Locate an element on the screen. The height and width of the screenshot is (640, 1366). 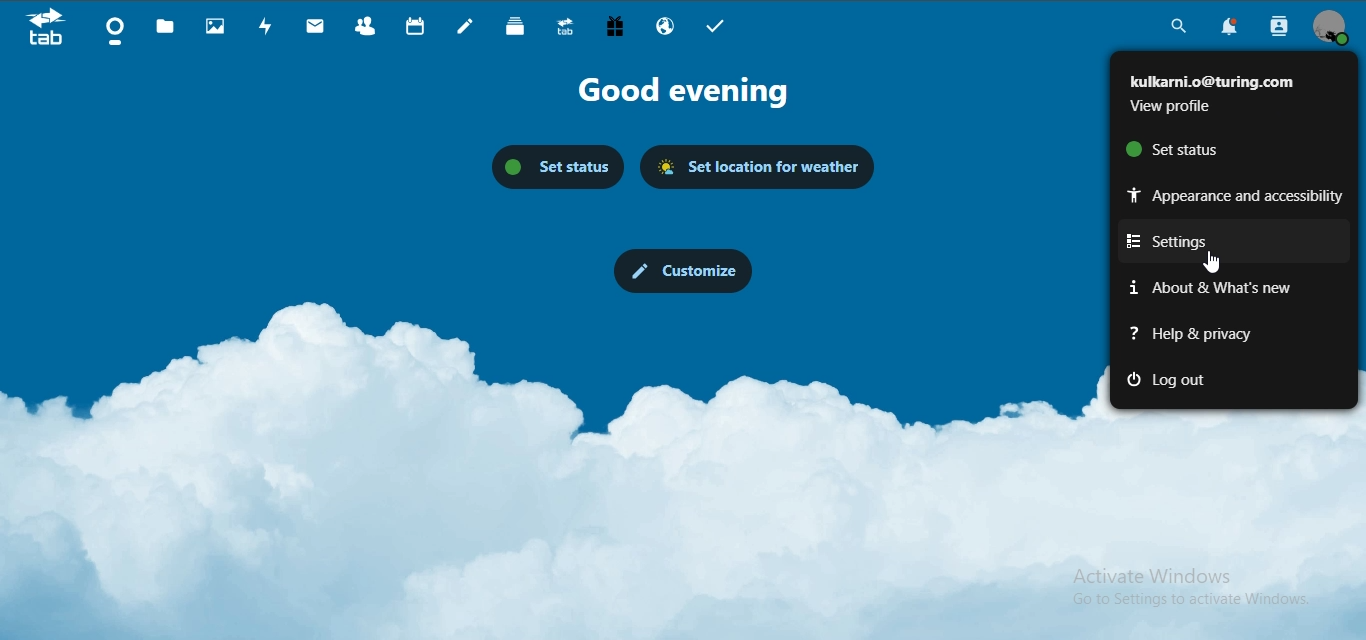
calendar is located at coordinates (413, 27).